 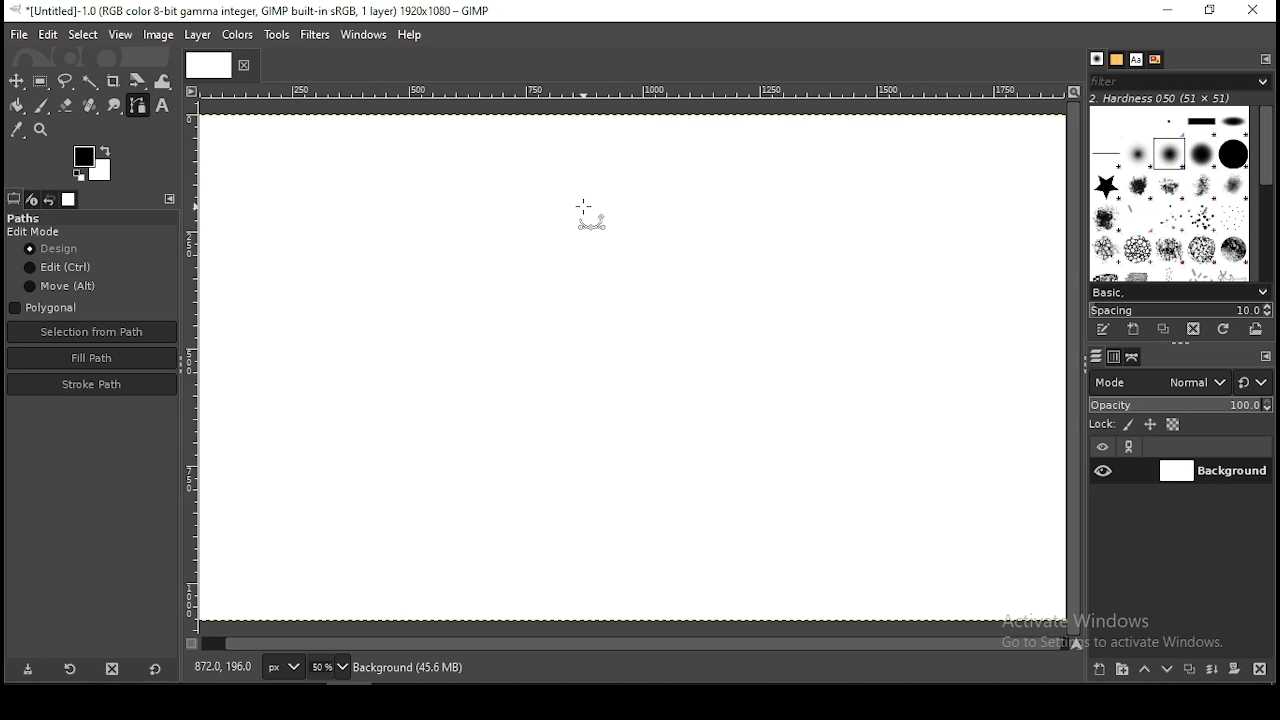 I want to click on mouse pointer, so click(x=591, y=218).